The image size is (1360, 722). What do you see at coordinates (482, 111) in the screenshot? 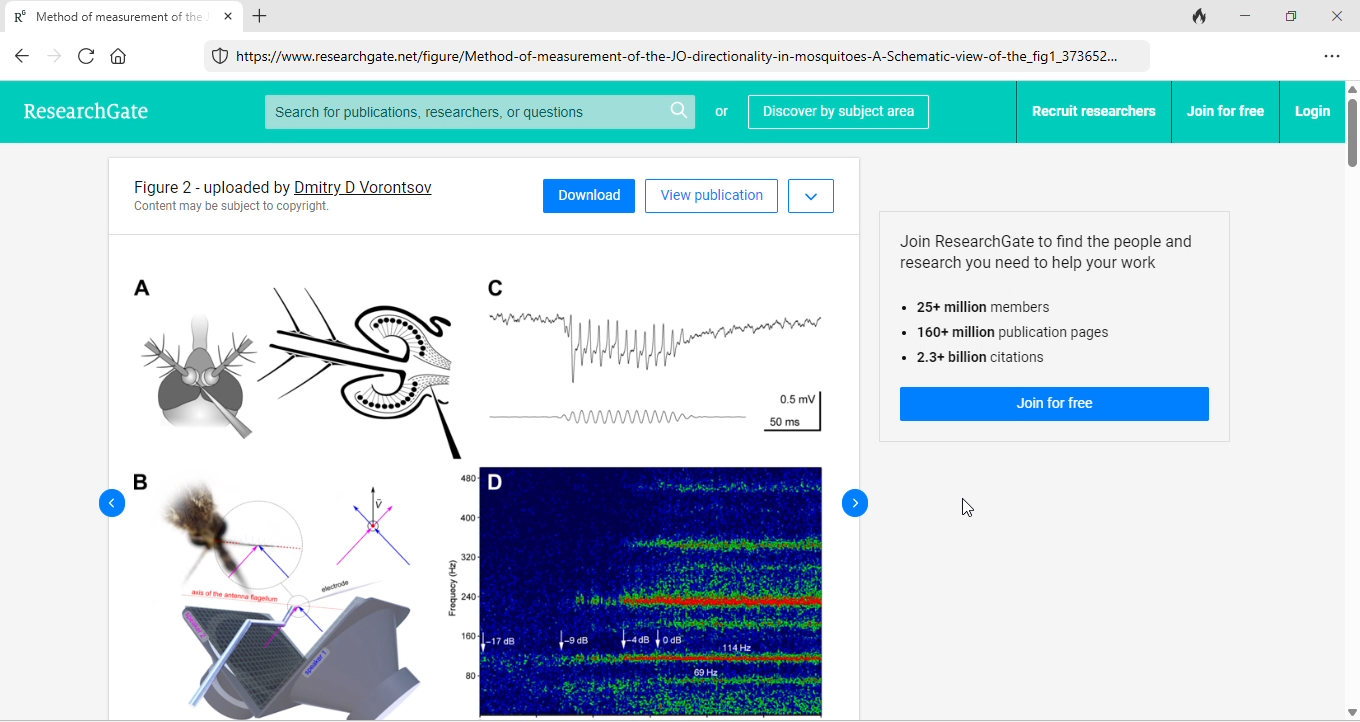
I see `search bar` at bounding box center [482, 111].